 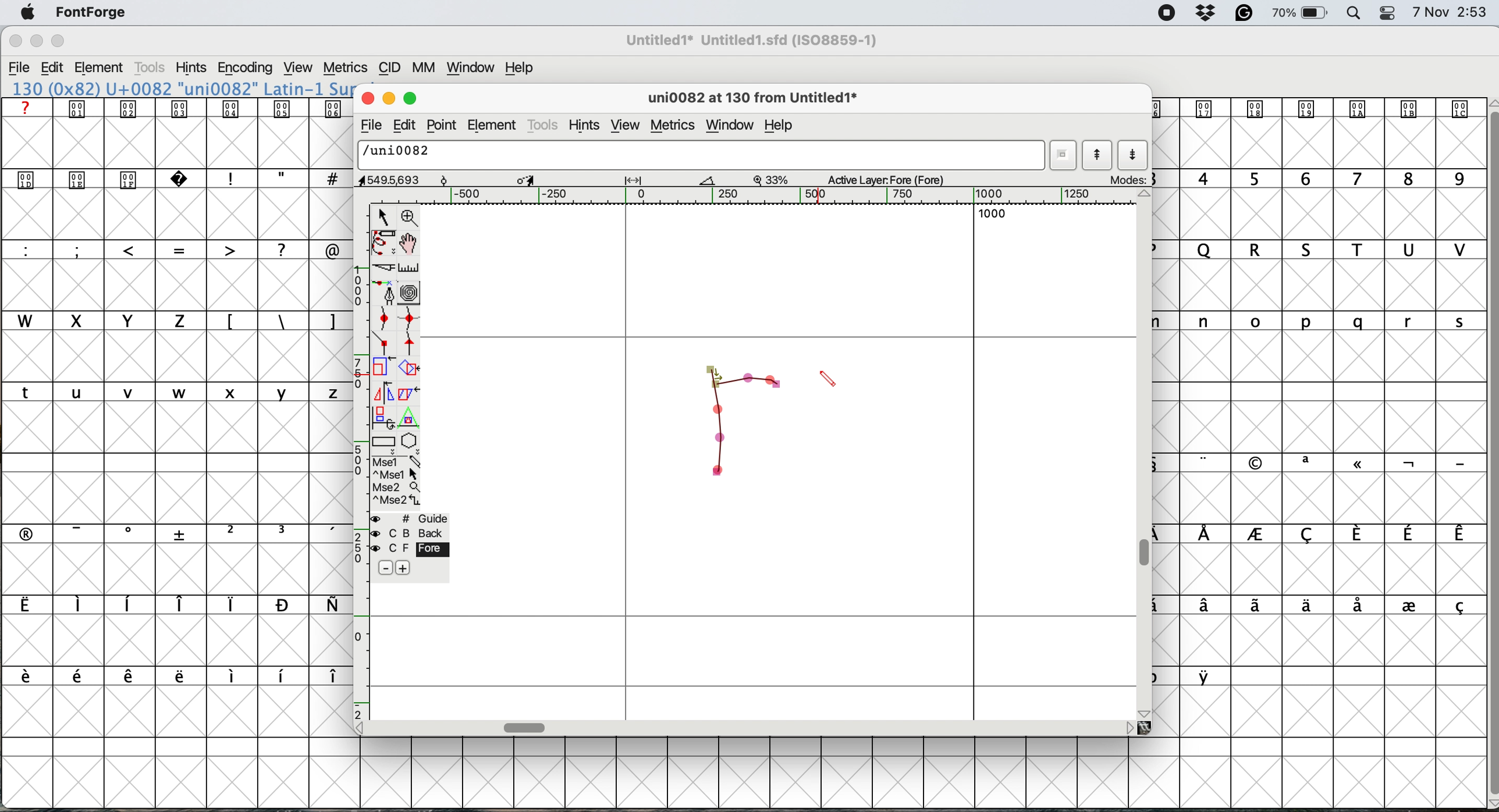 I want to click on fontforge, so click(x=91, y=12).